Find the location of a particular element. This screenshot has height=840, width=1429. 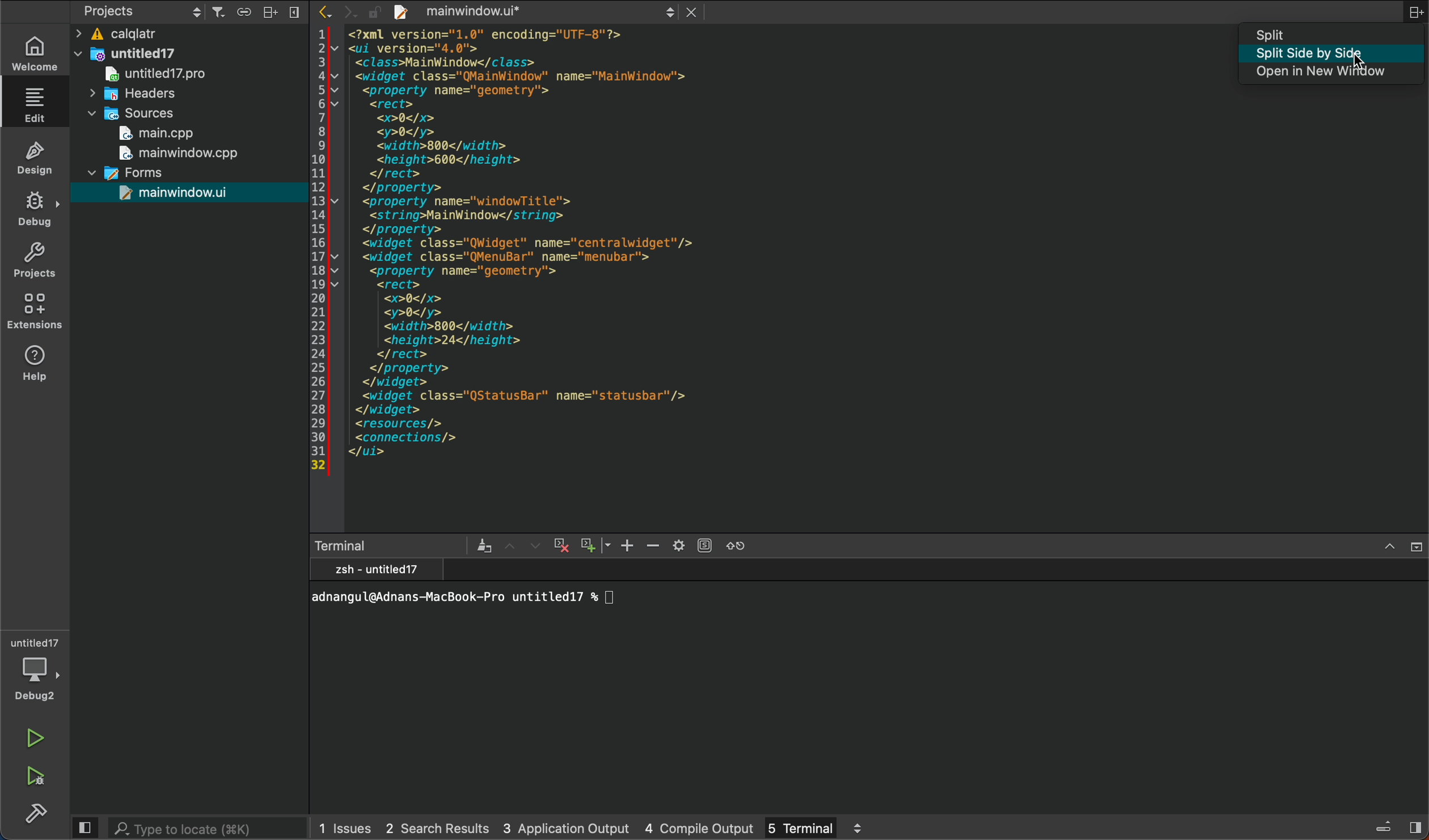

reset is located at coordinates (735, 546).